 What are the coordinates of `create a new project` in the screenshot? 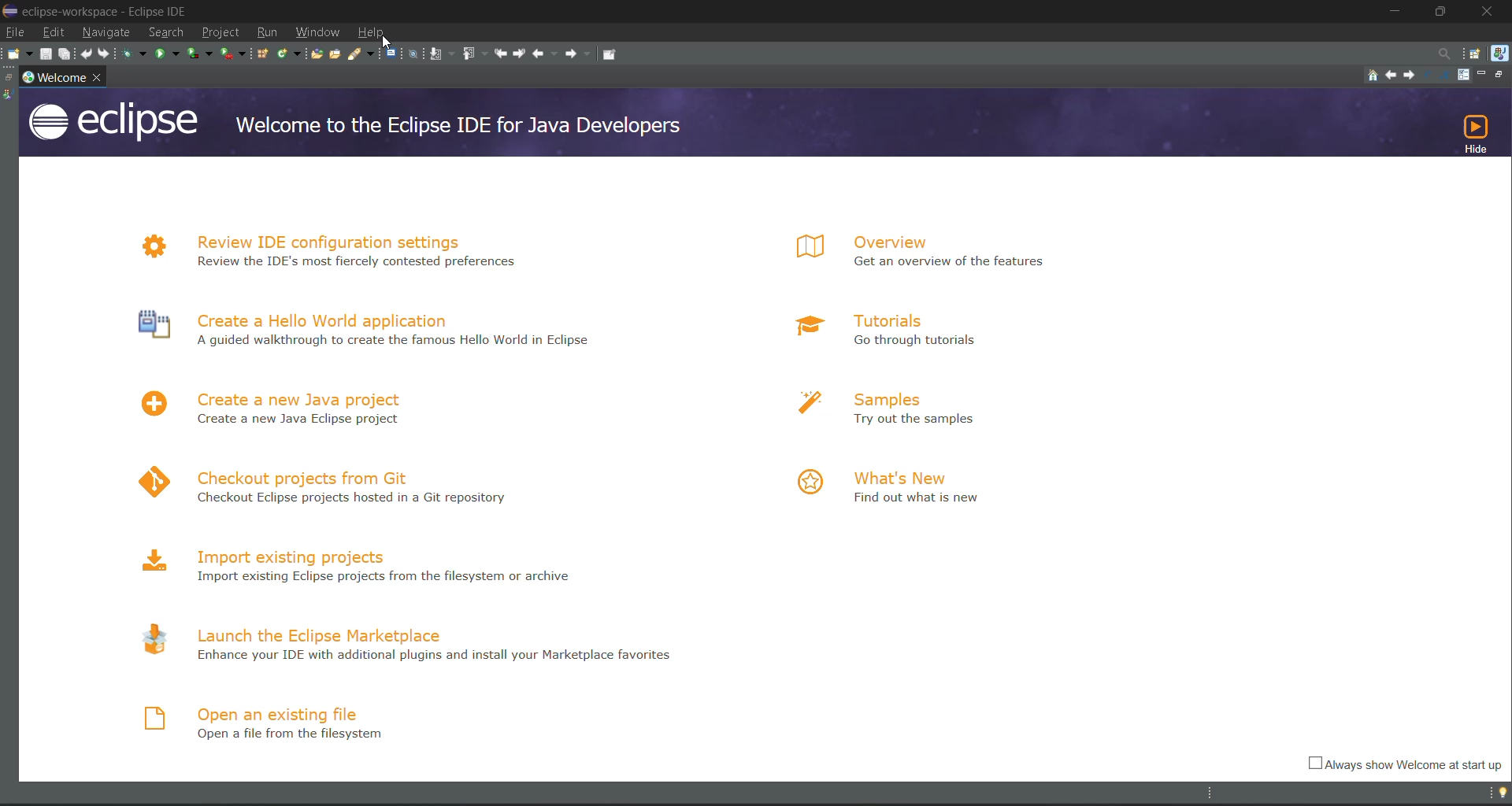 It's located at (279, 398).